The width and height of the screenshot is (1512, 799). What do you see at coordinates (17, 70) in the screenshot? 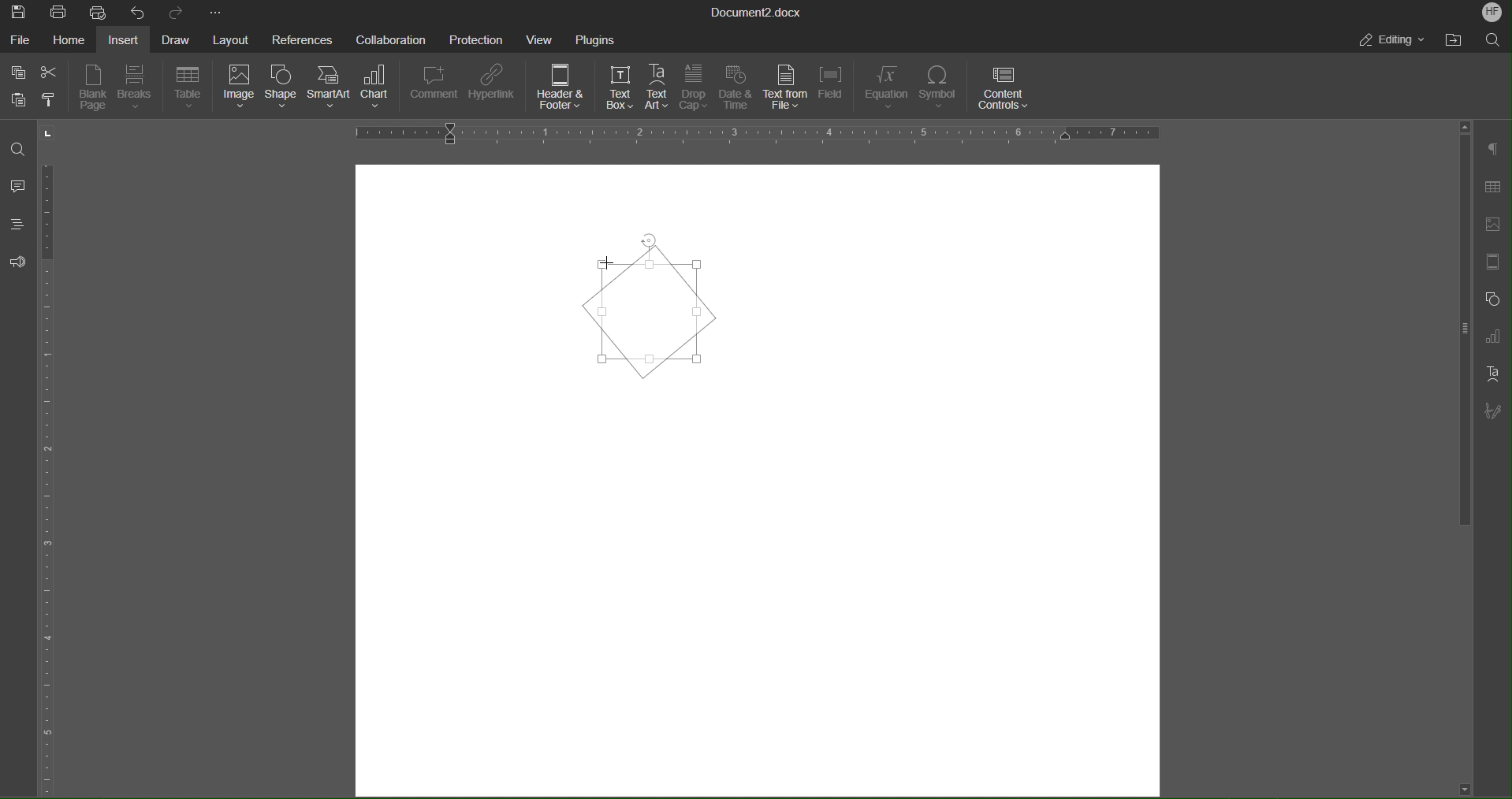
I see `Copy` at bounding box center [17, 70].